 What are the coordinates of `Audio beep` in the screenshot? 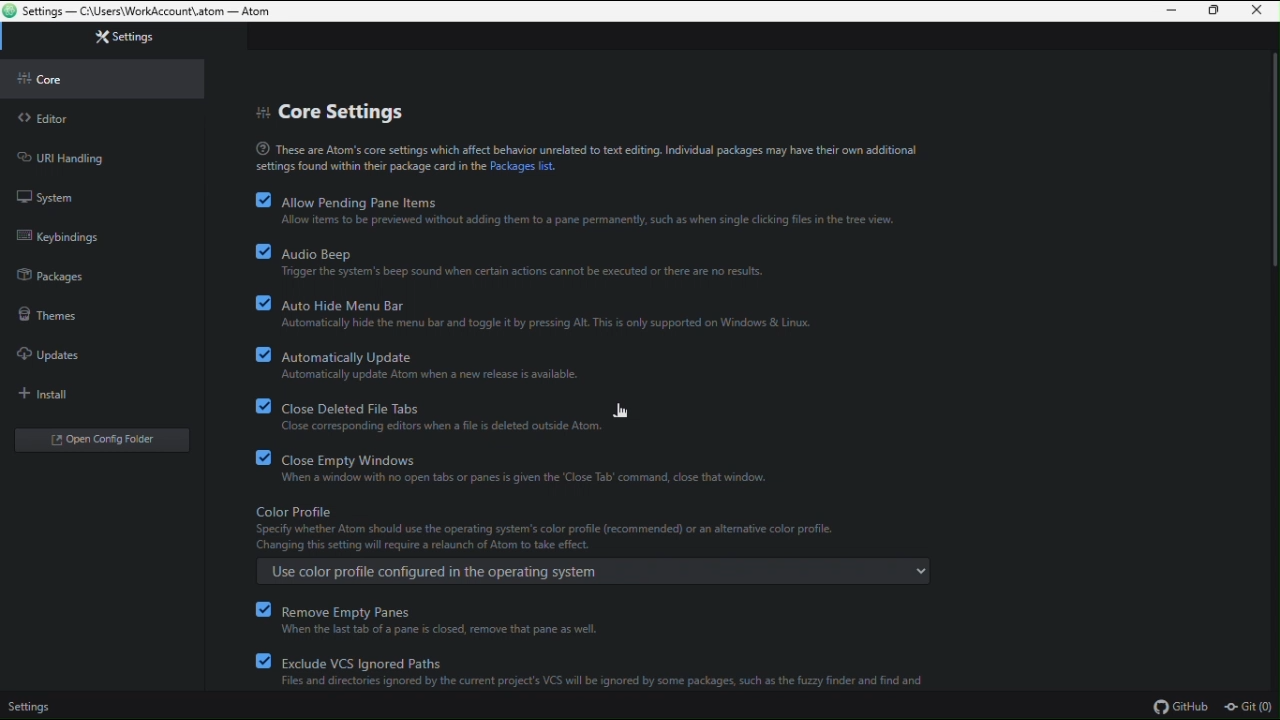 It's located at (536, 260).